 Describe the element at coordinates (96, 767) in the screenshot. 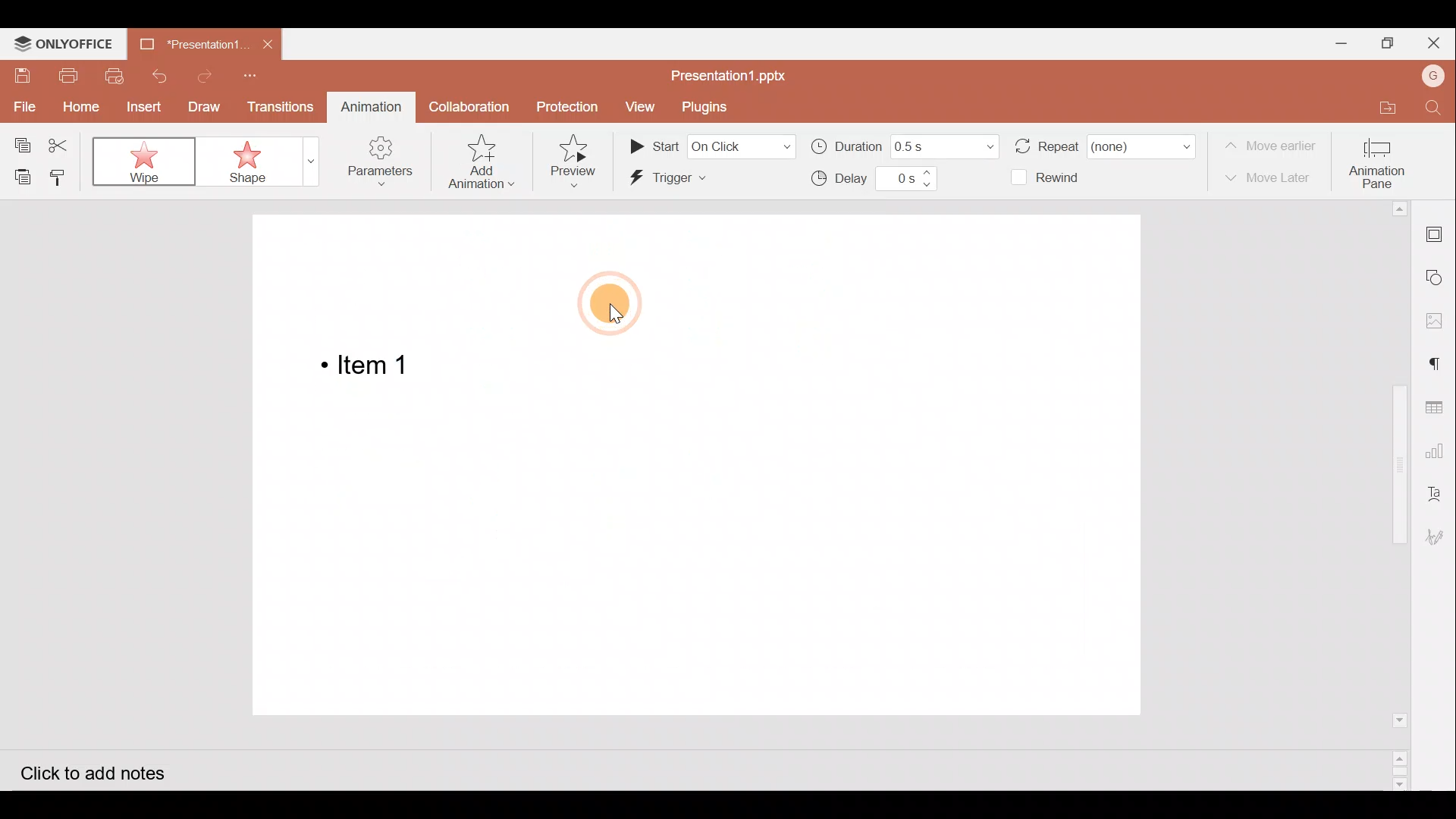

I see `Click to add notes` at that location.